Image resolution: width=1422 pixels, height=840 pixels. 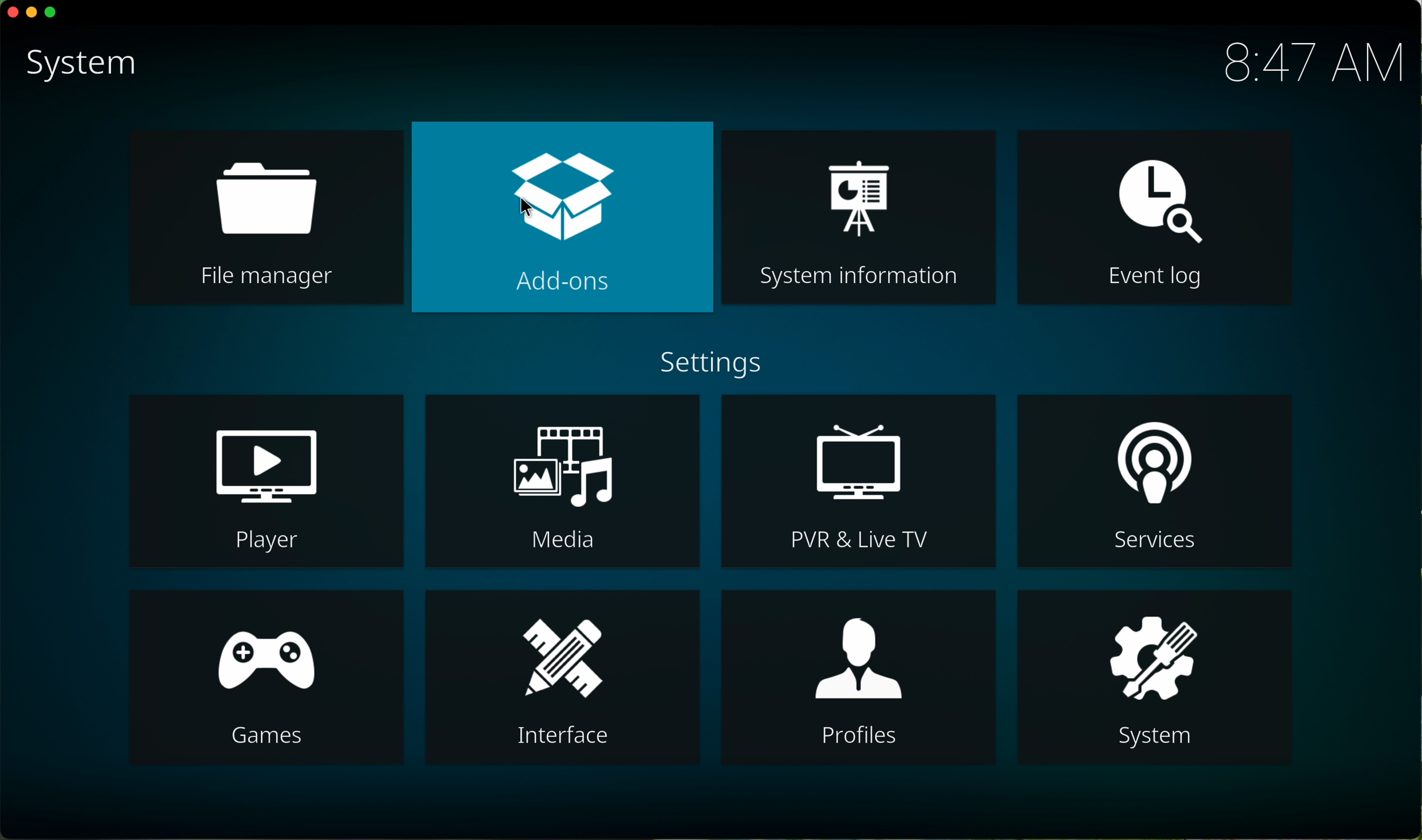 What do you see at coordinates (532, 211) in the screenshot?
I see `cursor` at bounding box center [532, 211].